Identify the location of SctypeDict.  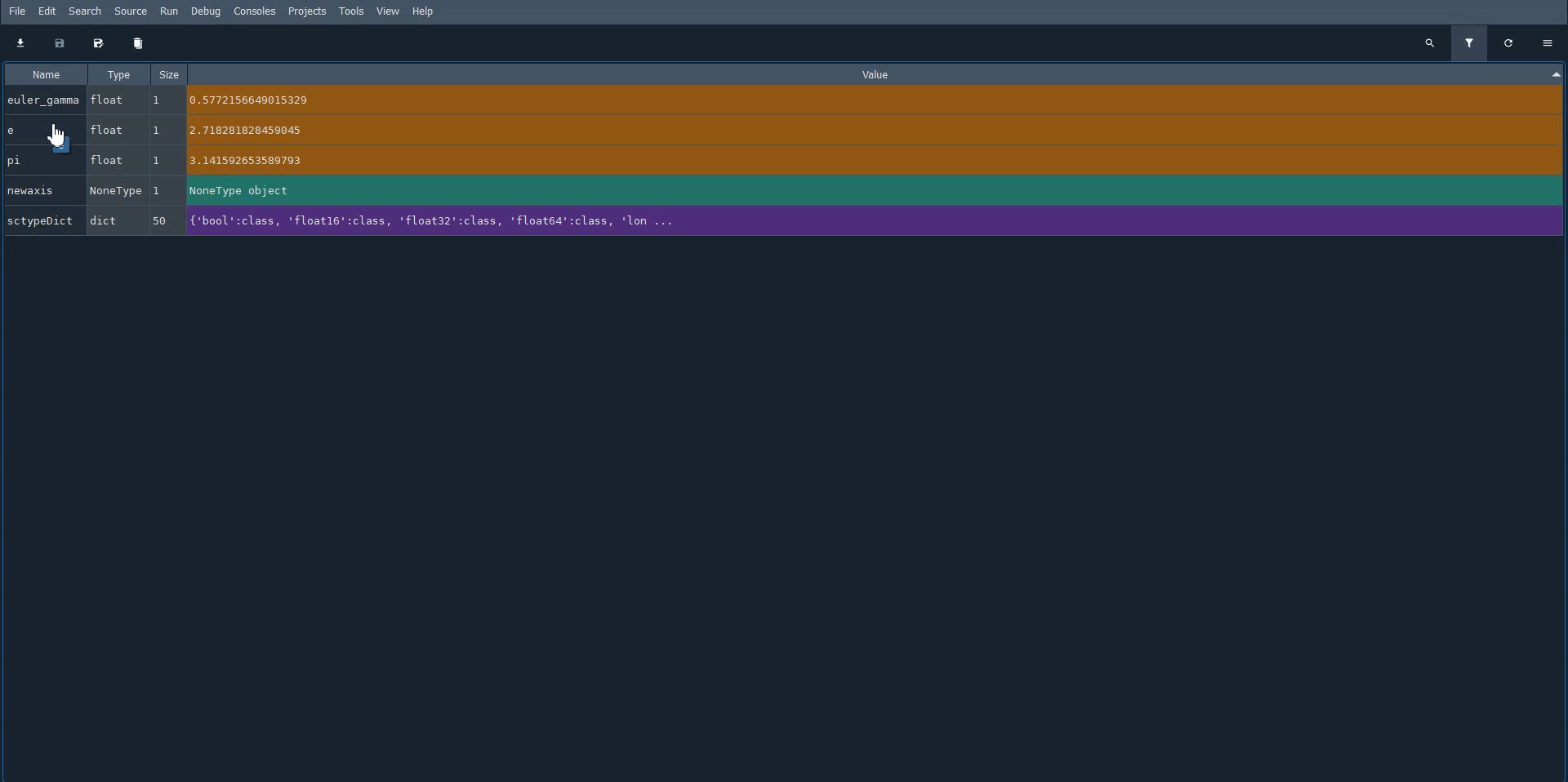
(784, 222).